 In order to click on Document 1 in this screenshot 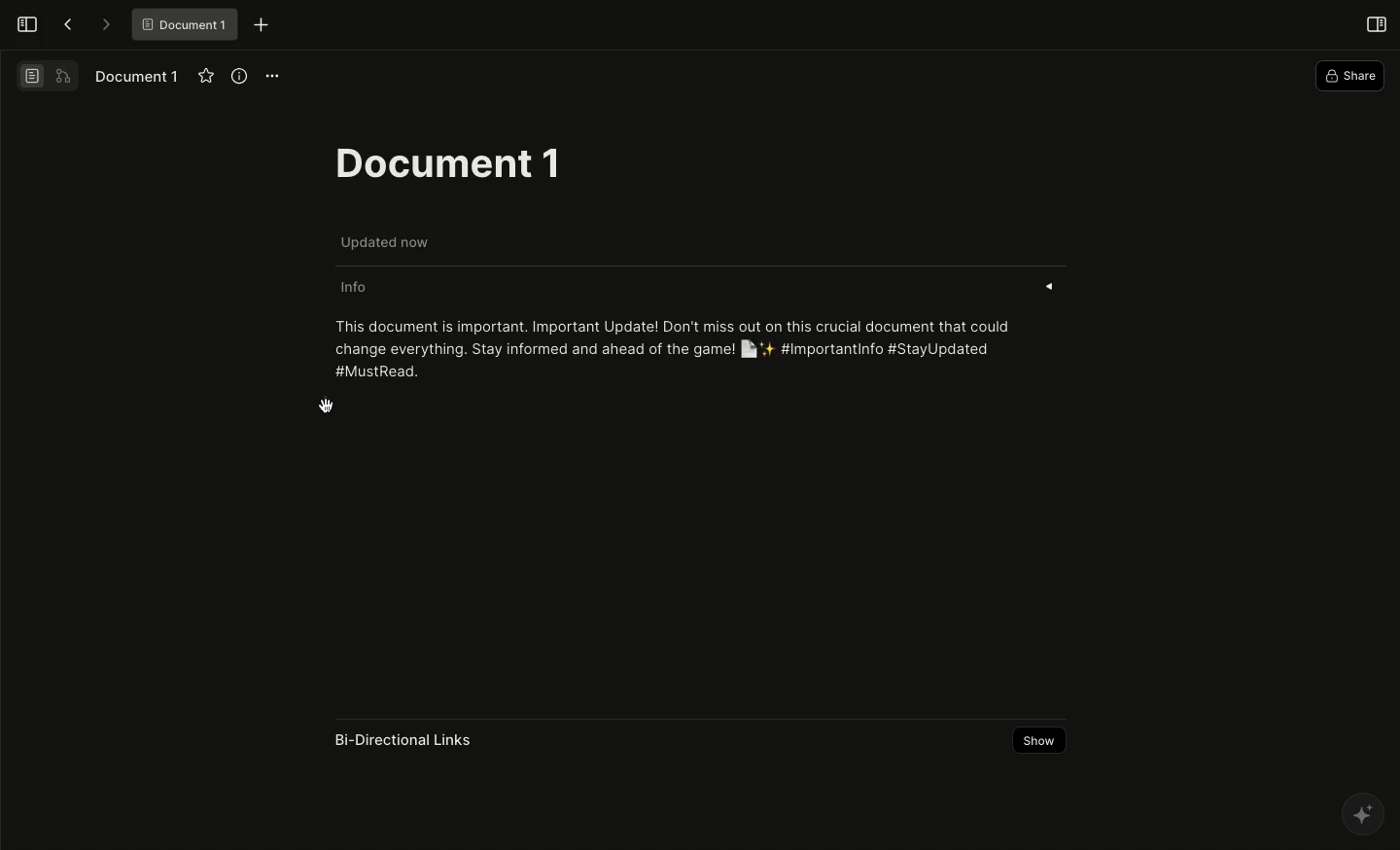, I will do `click(454, 162)`.